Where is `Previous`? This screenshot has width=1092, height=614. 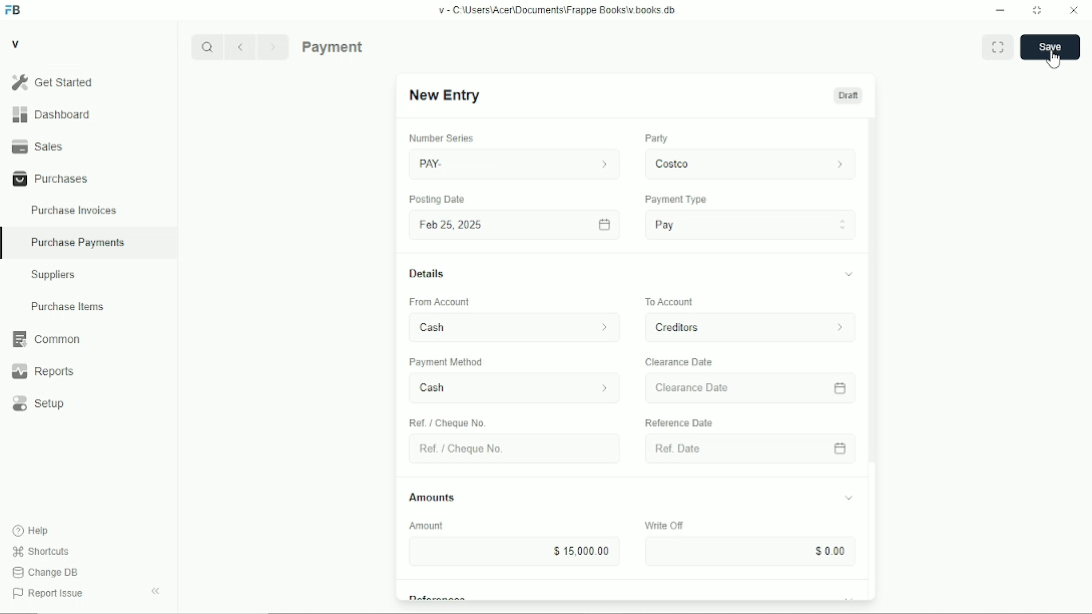 Previous is located at coordinates (240, 47).